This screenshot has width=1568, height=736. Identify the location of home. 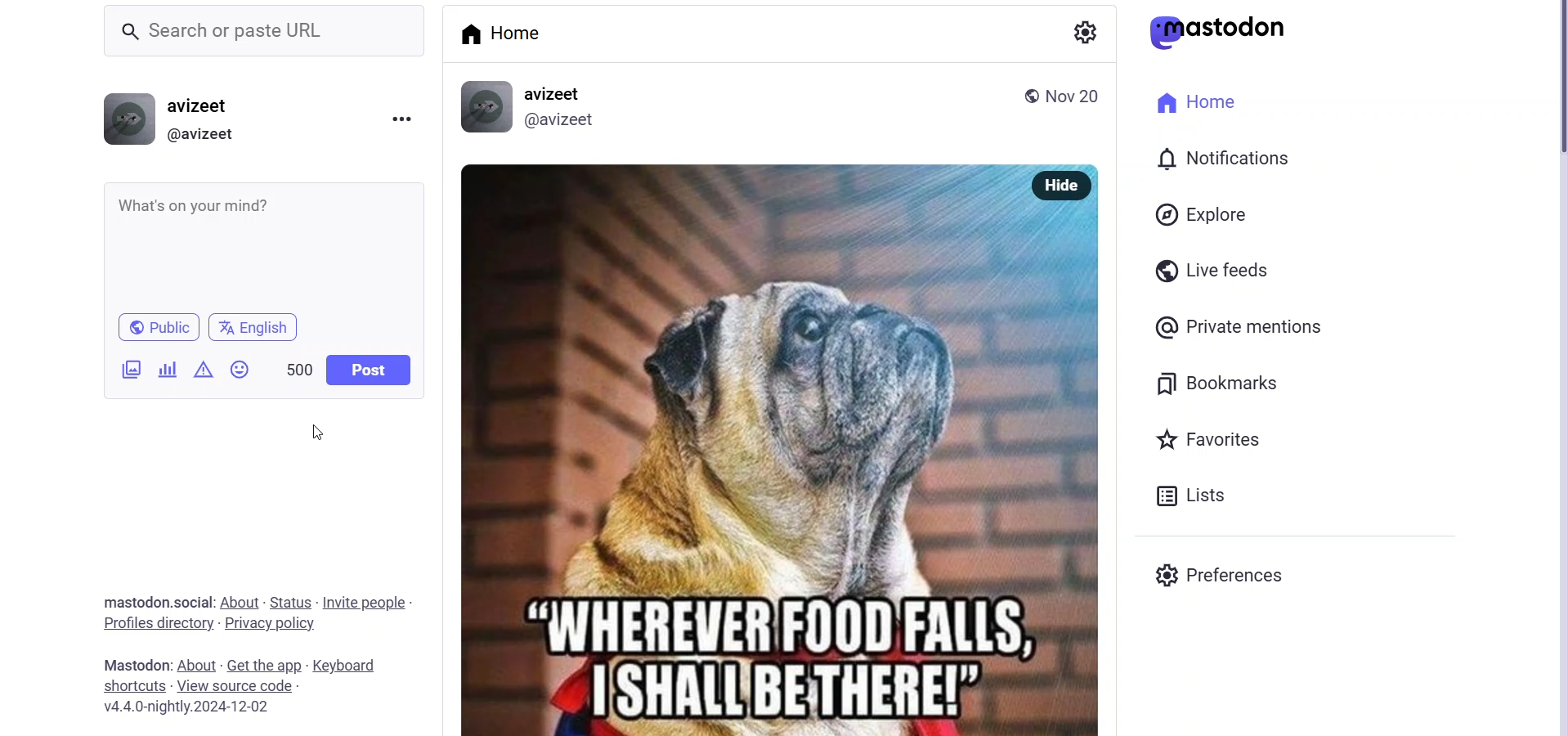
(1199, 105).